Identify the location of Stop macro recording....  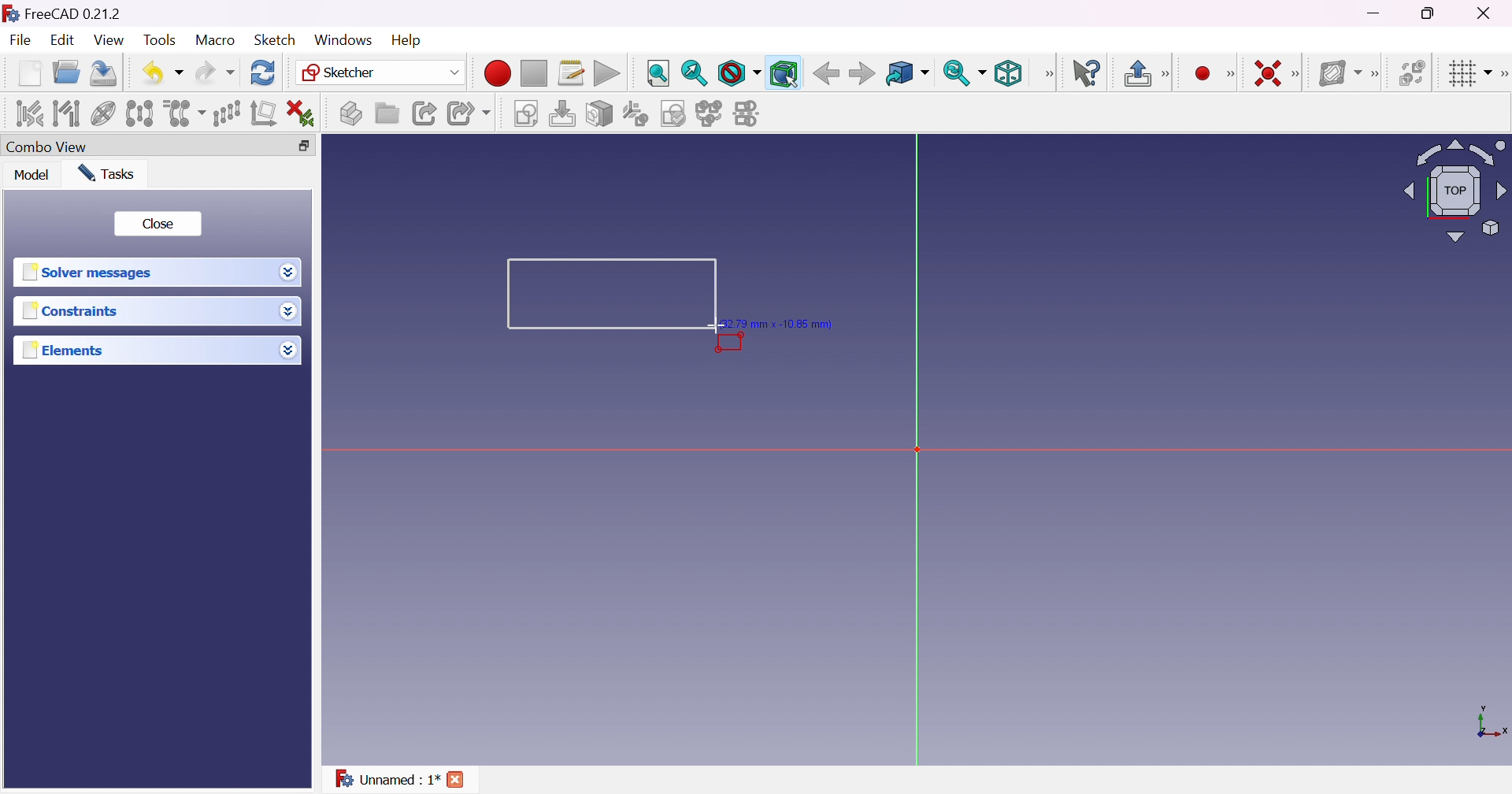
(534, 72).